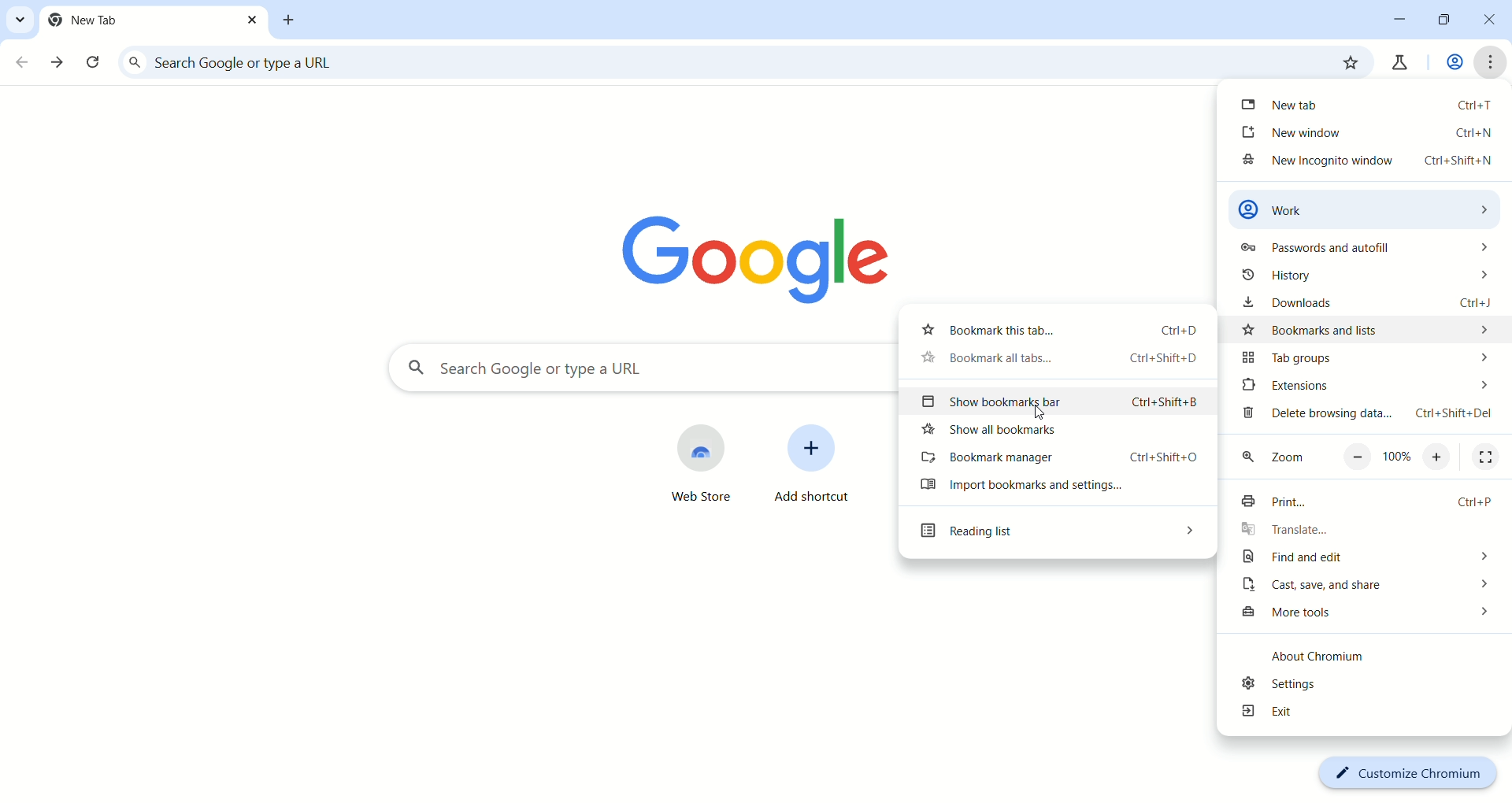 The width and height of the screenshot is (1512, 803). I want to click on reading list, so click(1054, 535).